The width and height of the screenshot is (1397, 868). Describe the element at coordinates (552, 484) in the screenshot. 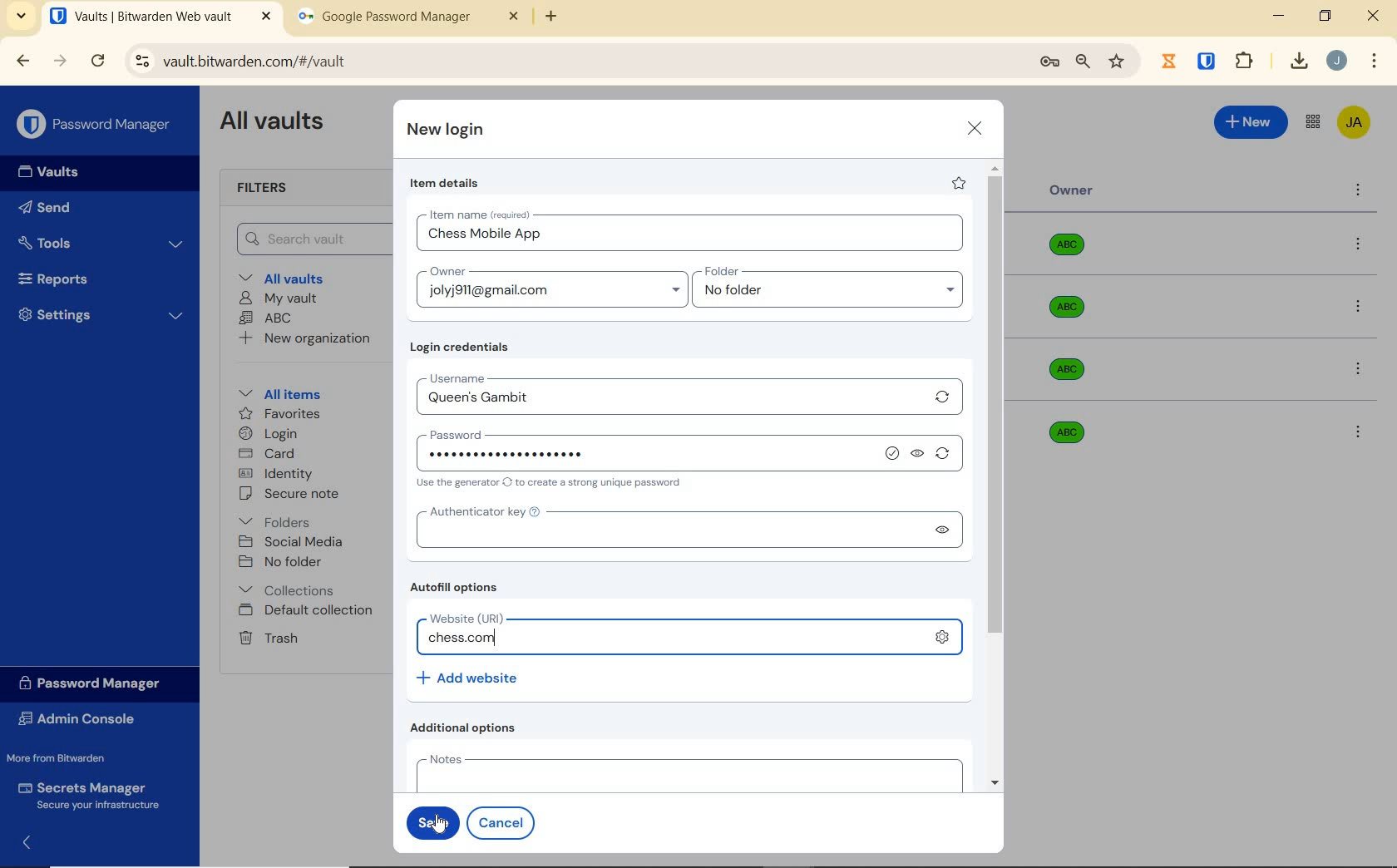

I see `Use the generator O to create a strong unique password` at that location.